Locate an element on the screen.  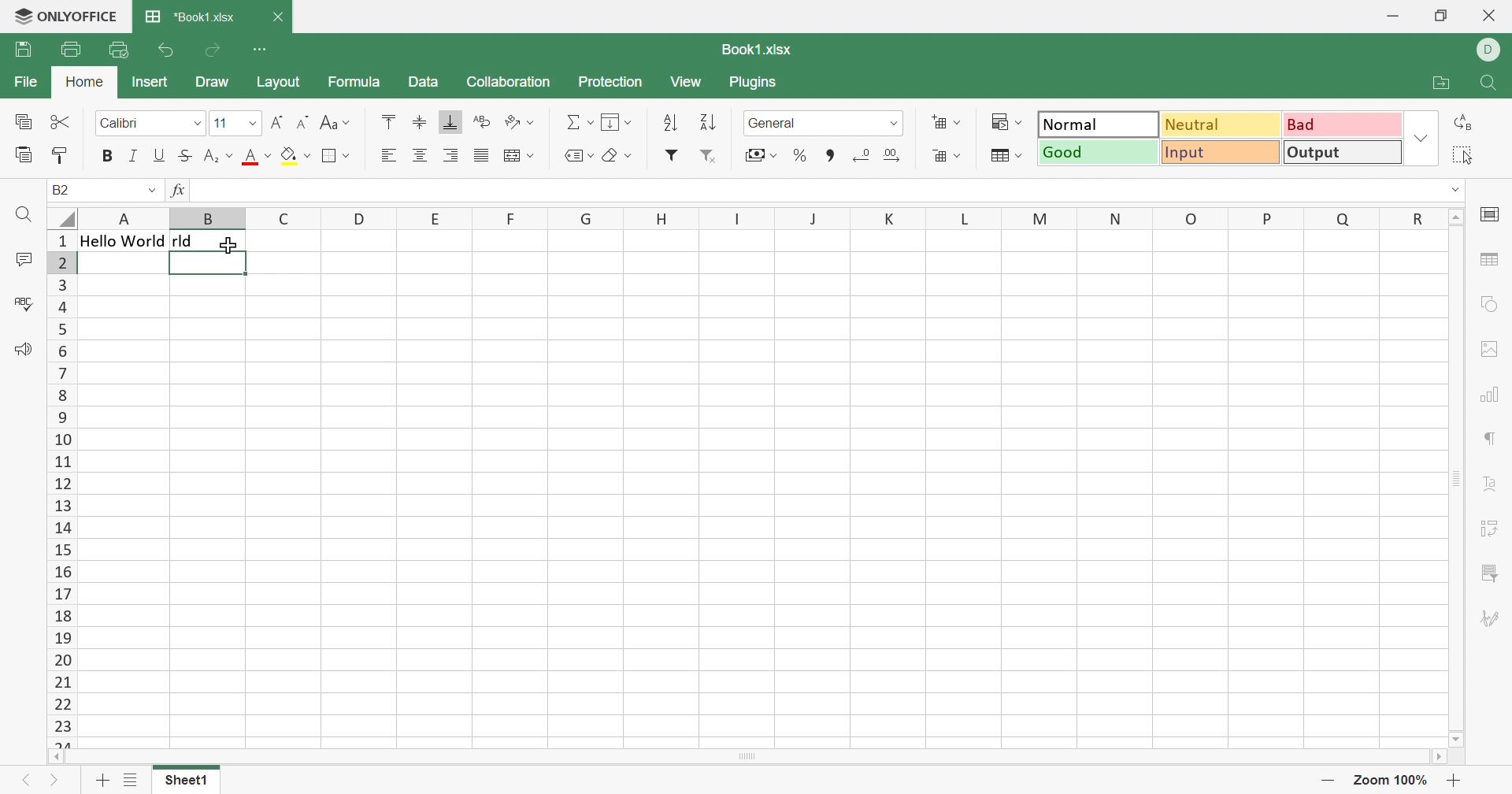
Collaboration is located at coordinates (508, 81).